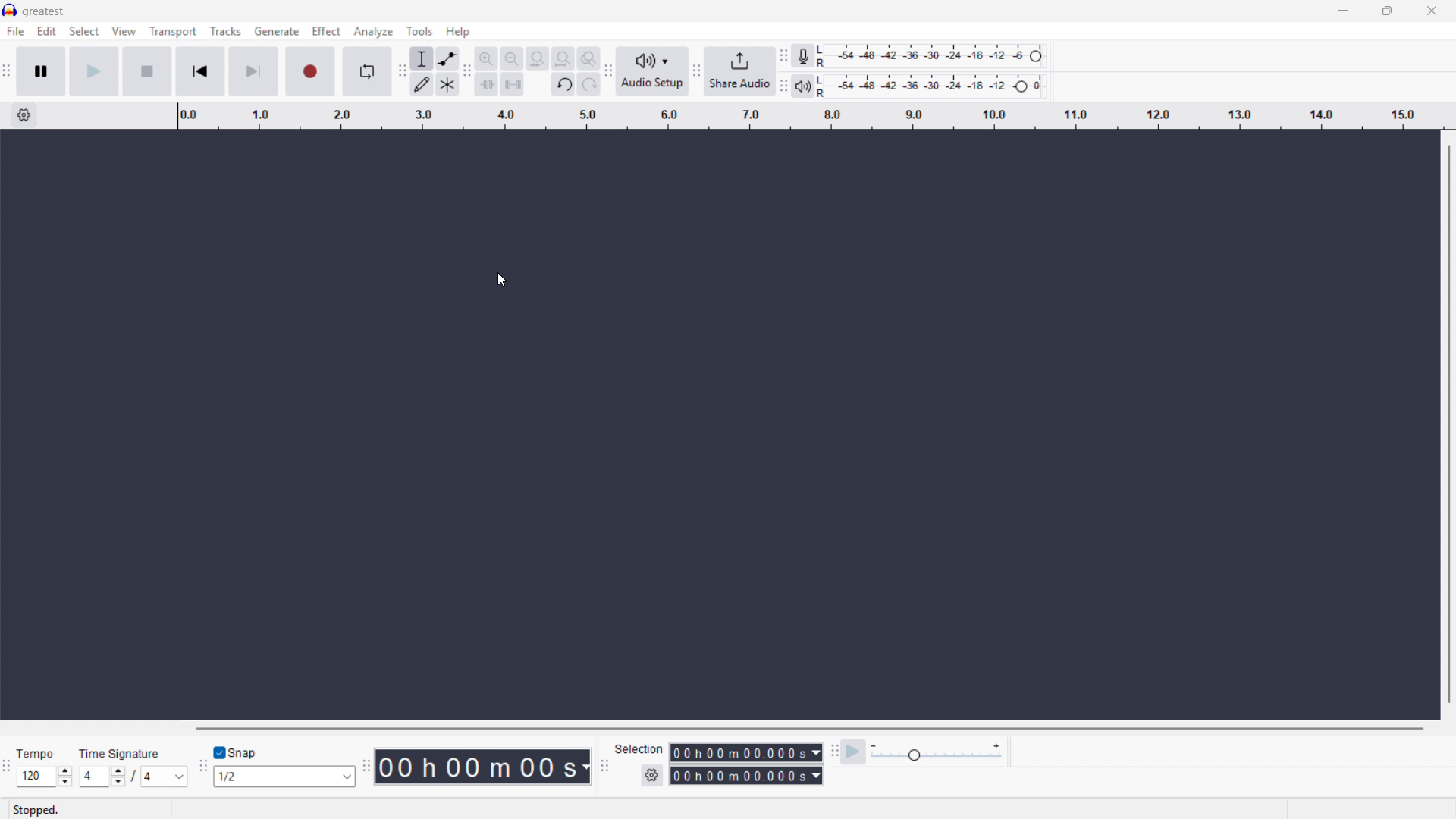 The height and width of the screenshot is (819, 1456). Describe the element at coordinates (935, 56) in the screenshot. I see `Recording level` at that location.